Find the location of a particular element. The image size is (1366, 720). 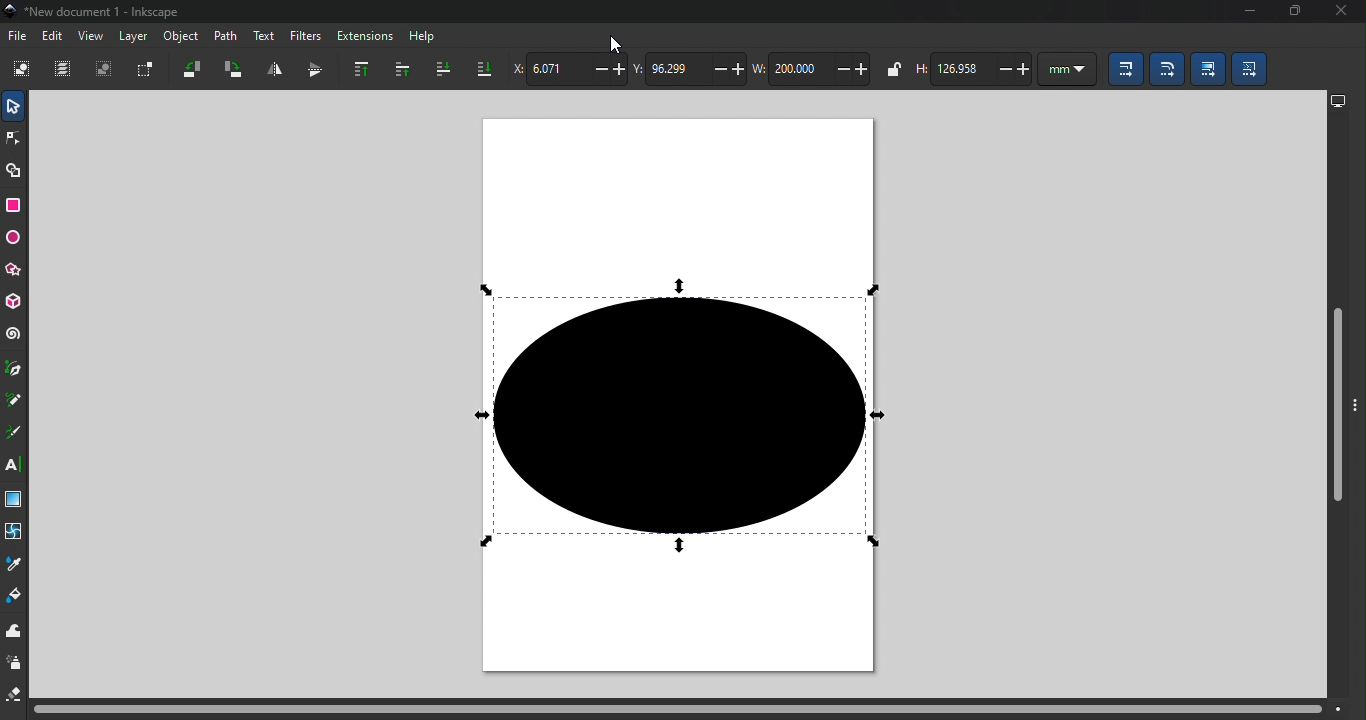

Object is located at coordinates (181, 36).